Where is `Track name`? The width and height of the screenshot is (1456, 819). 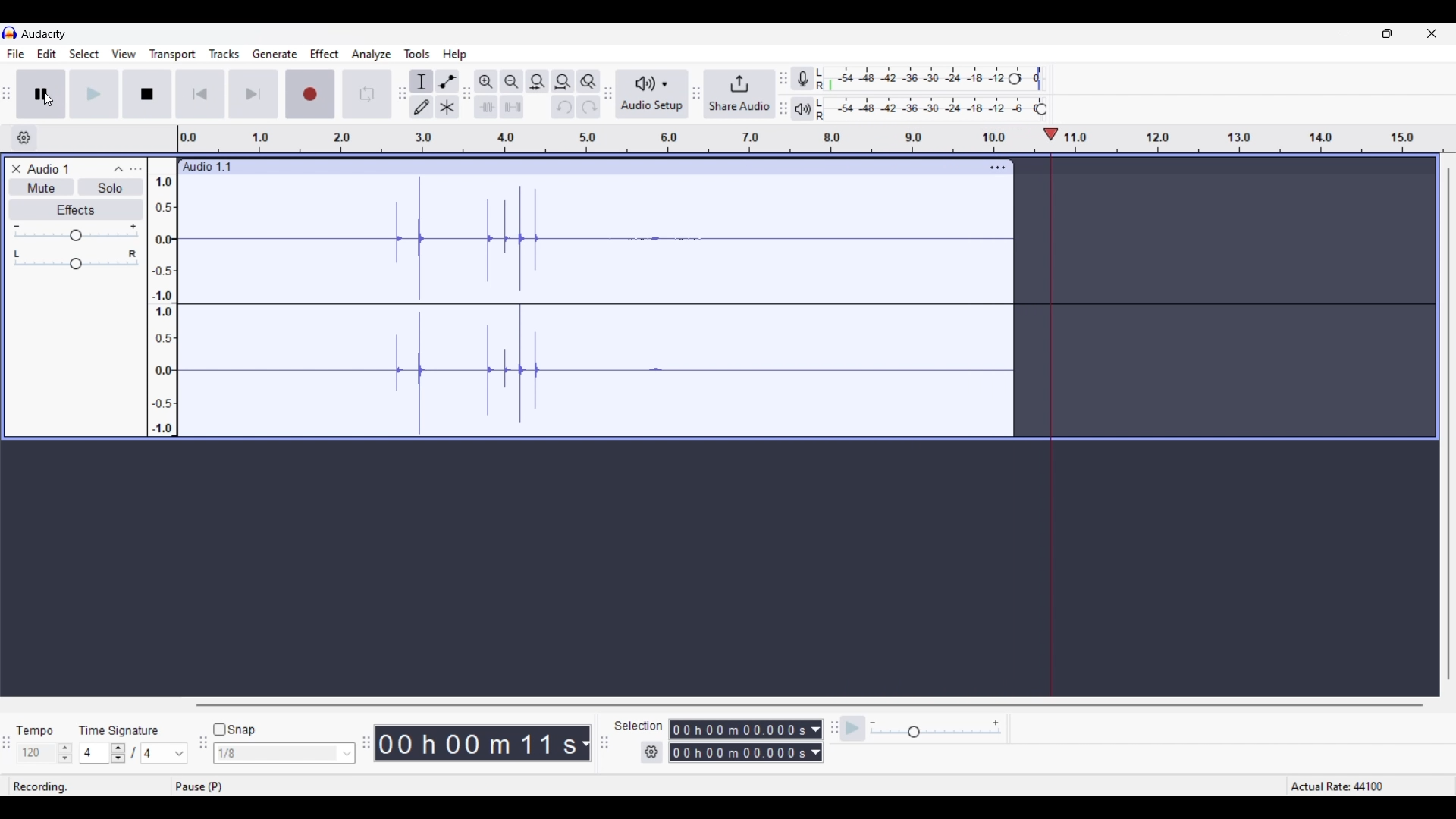
Track name is located at coordinates (208, 167).